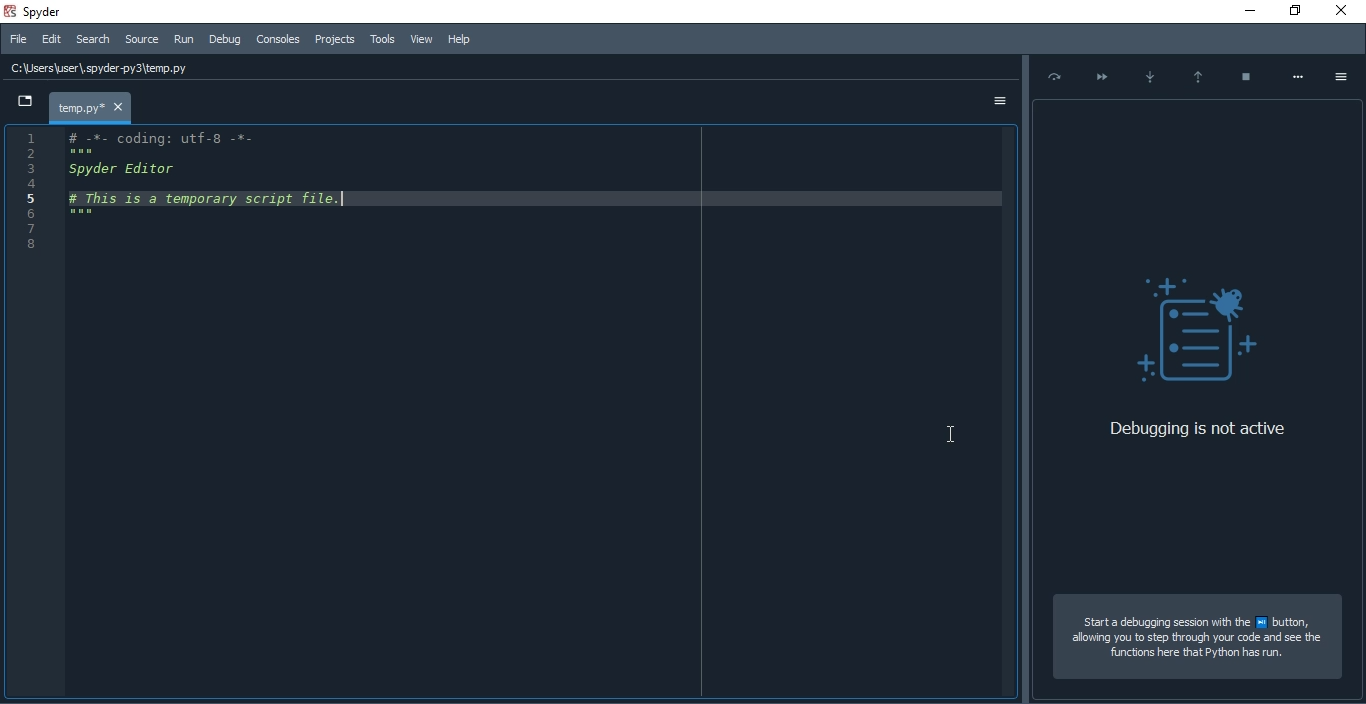 This screenshot has height=704, width=1366. I want to click on options, so click(1345, 75).